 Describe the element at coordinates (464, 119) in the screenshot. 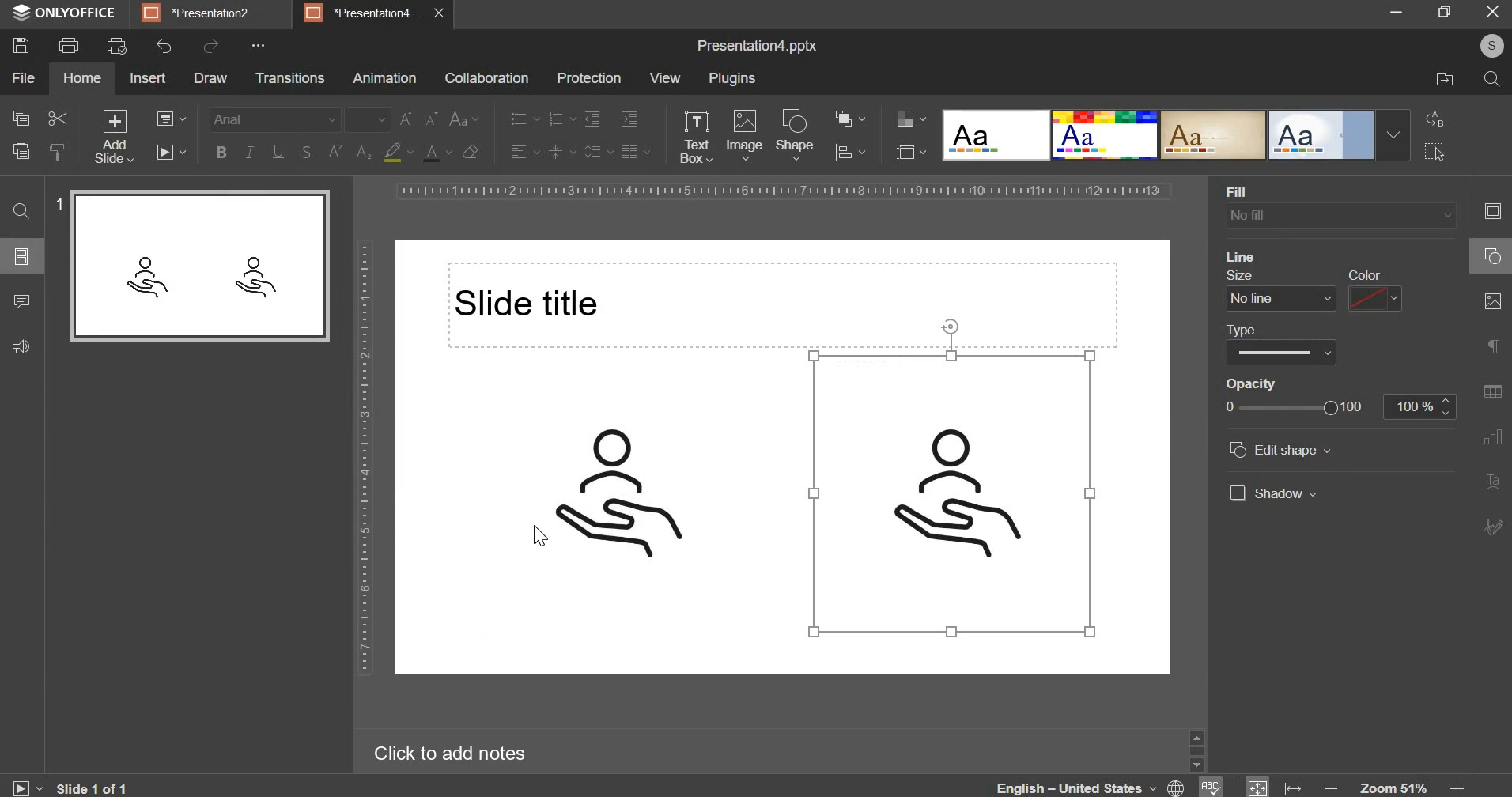

I see `change case` at that location.